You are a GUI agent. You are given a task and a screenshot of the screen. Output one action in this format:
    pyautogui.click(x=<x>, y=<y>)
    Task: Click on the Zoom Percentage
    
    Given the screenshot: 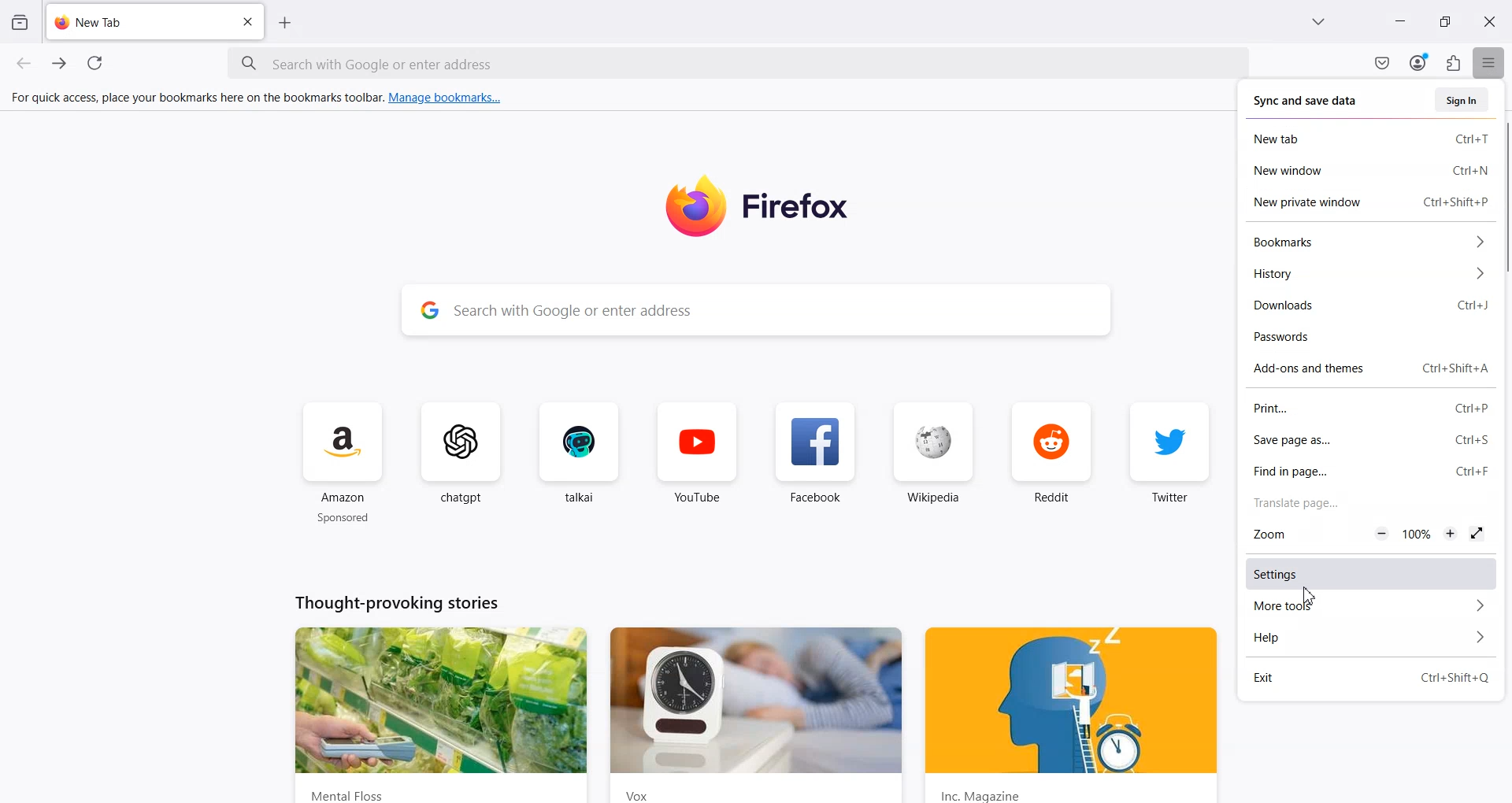 What is the action you would take?
    pyautogui.click(x=1417, y=535)
    